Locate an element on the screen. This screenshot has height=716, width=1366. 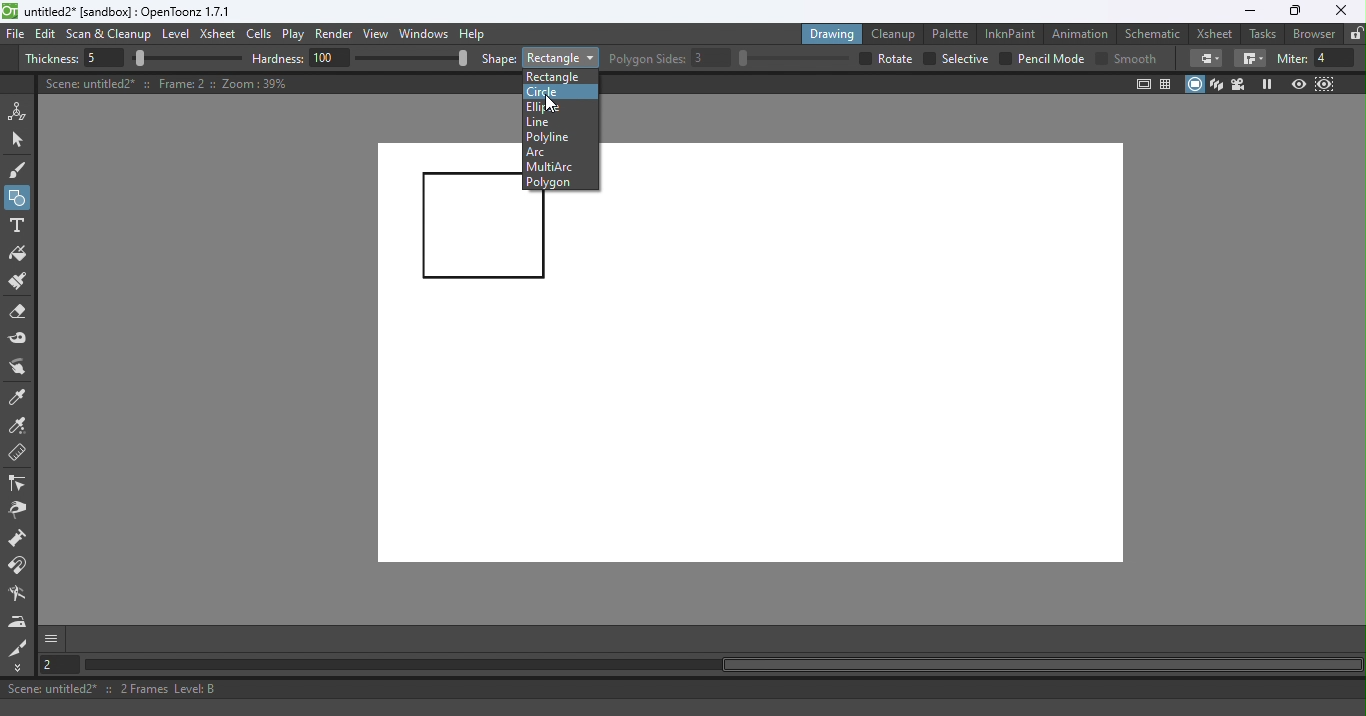
Safe area is located at coordinates (1142, 84).